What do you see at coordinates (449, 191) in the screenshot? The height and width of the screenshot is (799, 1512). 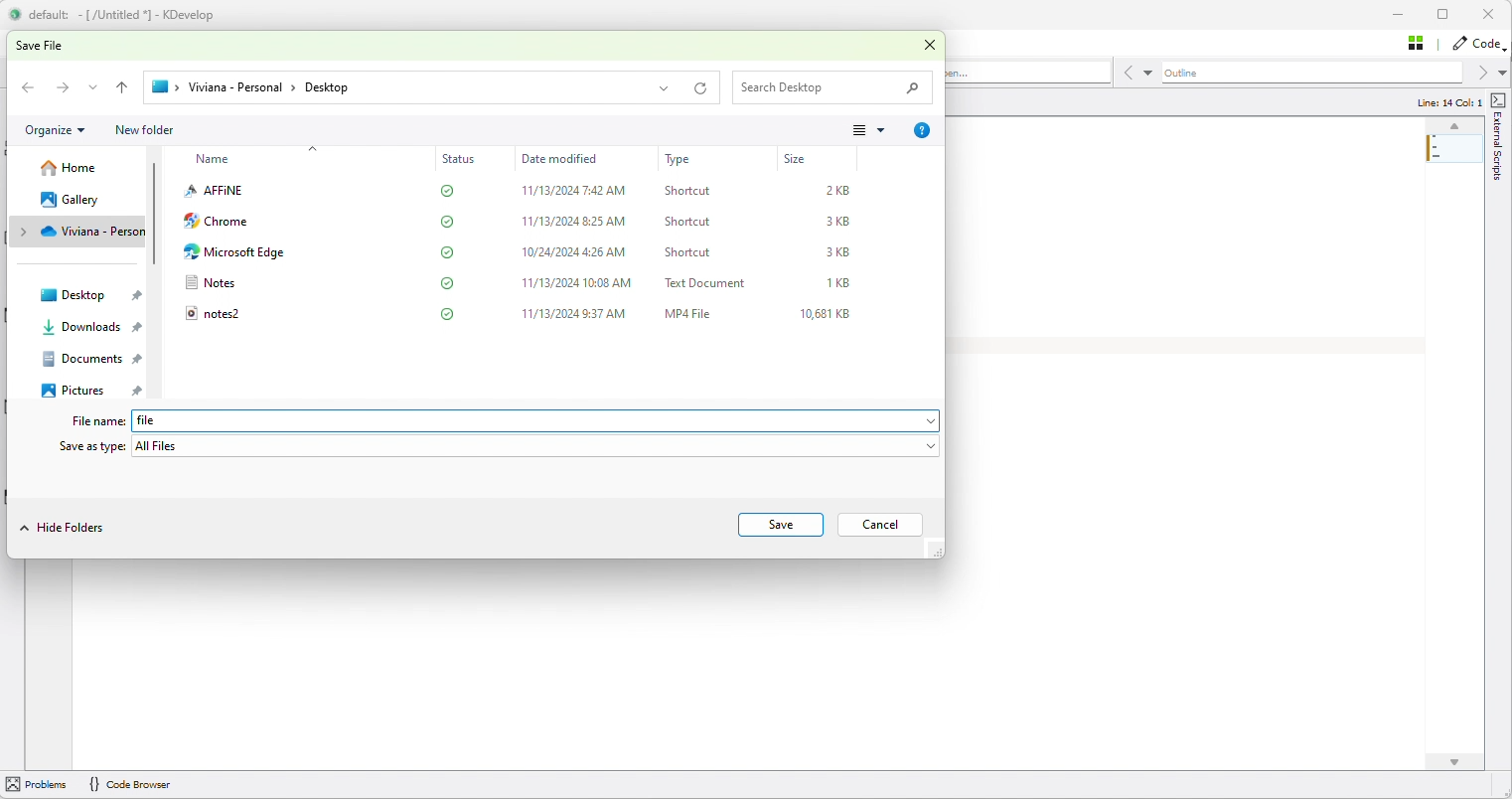 I see `saved to cloud` at bounding box center [449, 191].